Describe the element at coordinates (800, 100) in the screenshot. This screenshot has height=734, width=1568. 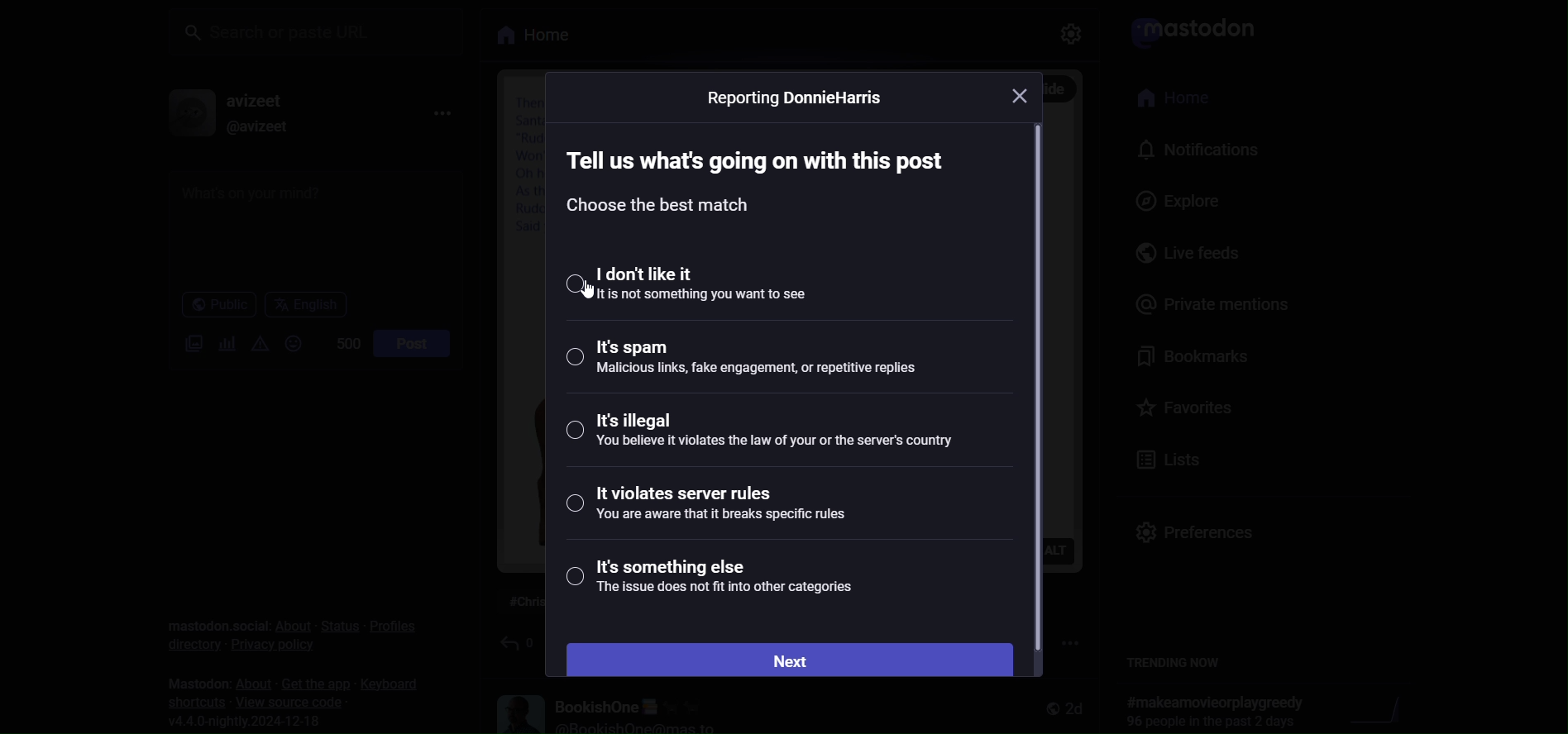
I see `Reporting DonnieHarris` at that location.